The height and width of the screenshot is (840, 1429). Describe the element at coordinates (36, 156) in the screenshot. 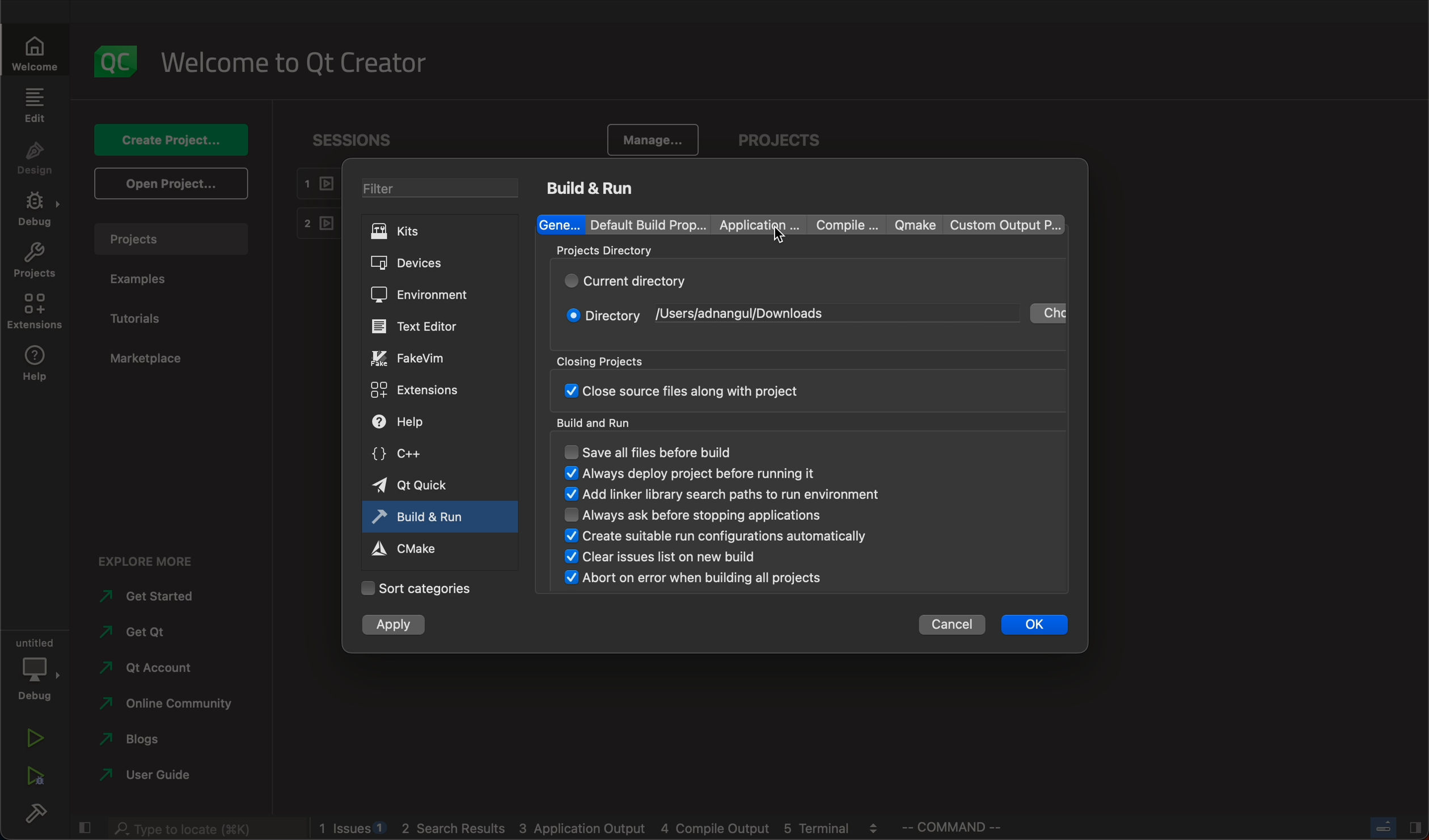

I see `design` at that location.